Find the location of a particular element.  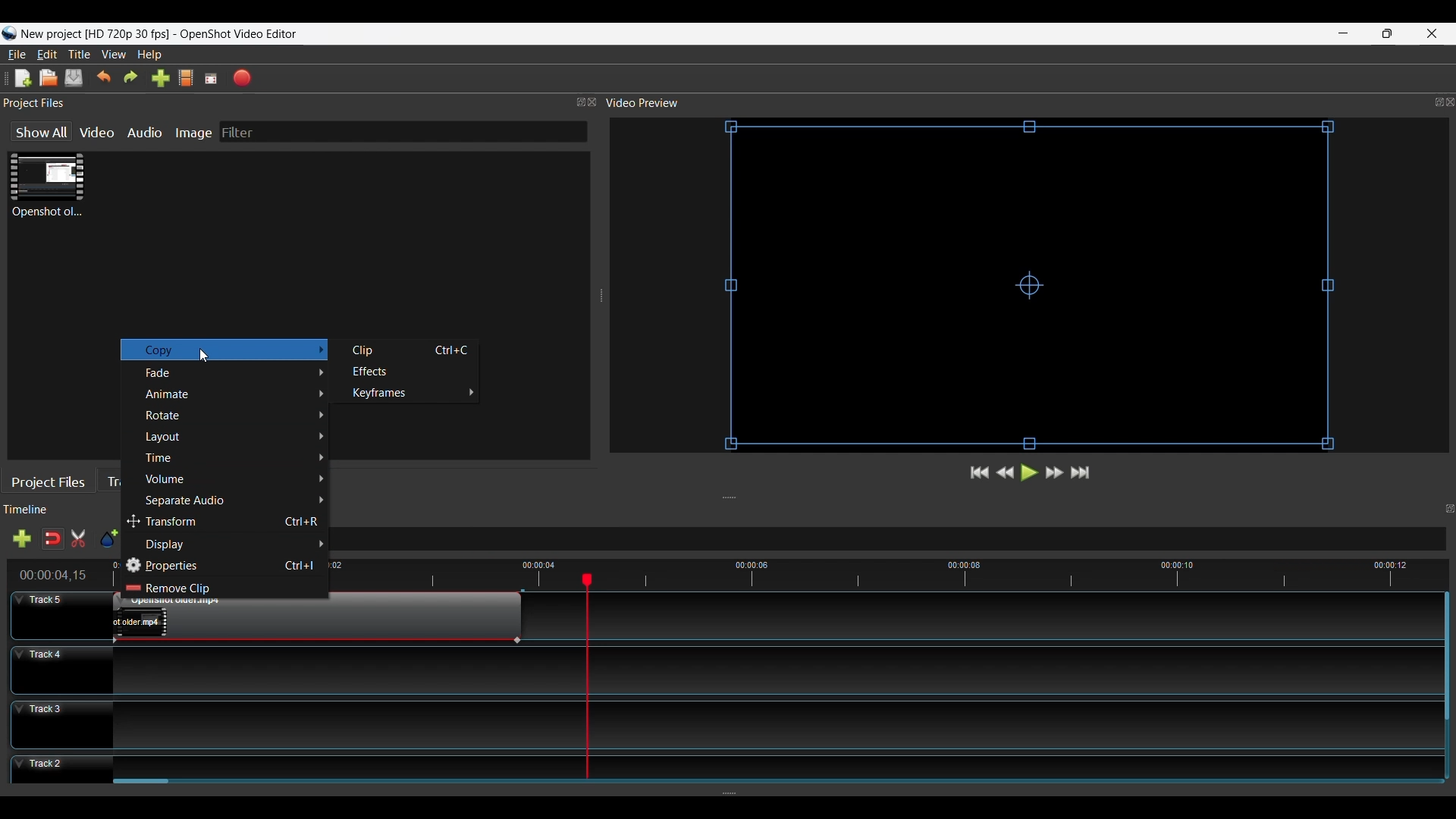

Video Preview is located at coordinates (1029, 103).